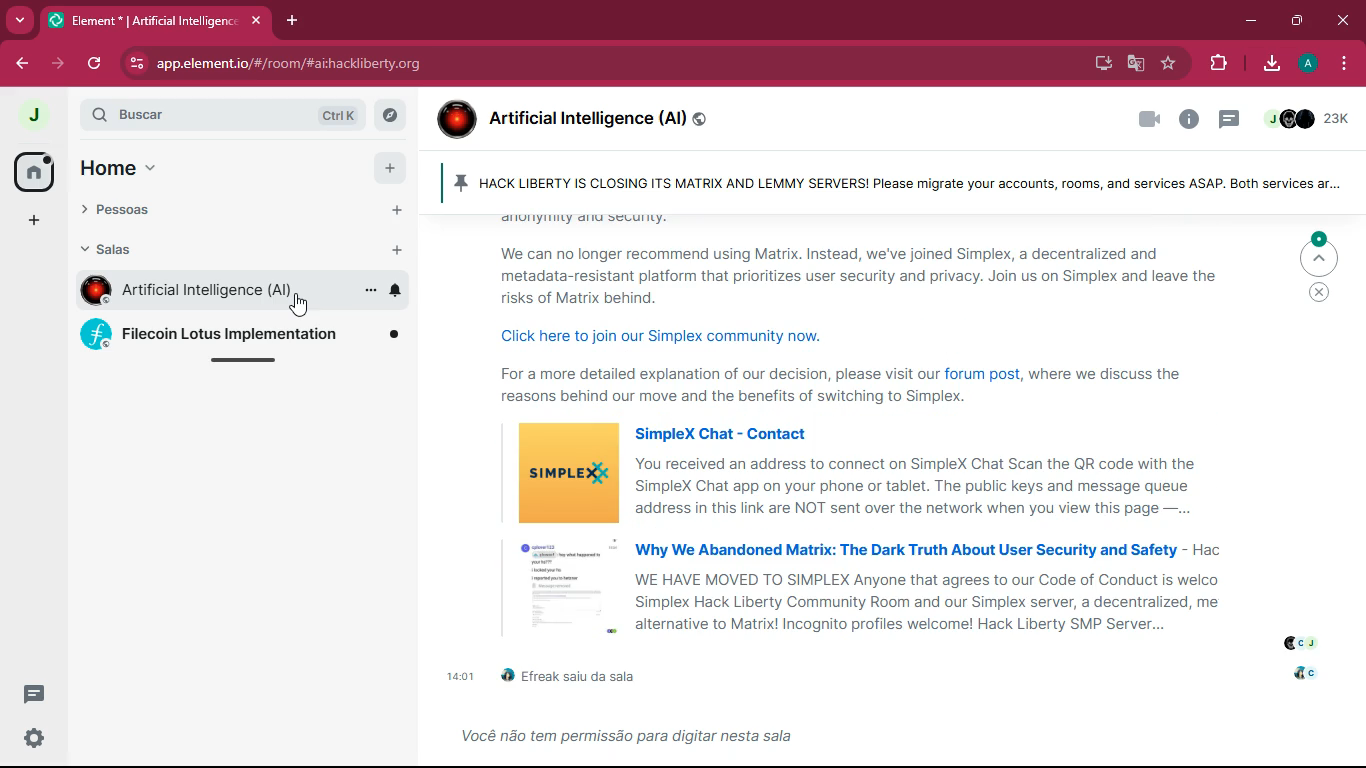  I want to click on Why We Abandoned Matrix: The Dark Truth About User Security and Safety , so click(903, 548).